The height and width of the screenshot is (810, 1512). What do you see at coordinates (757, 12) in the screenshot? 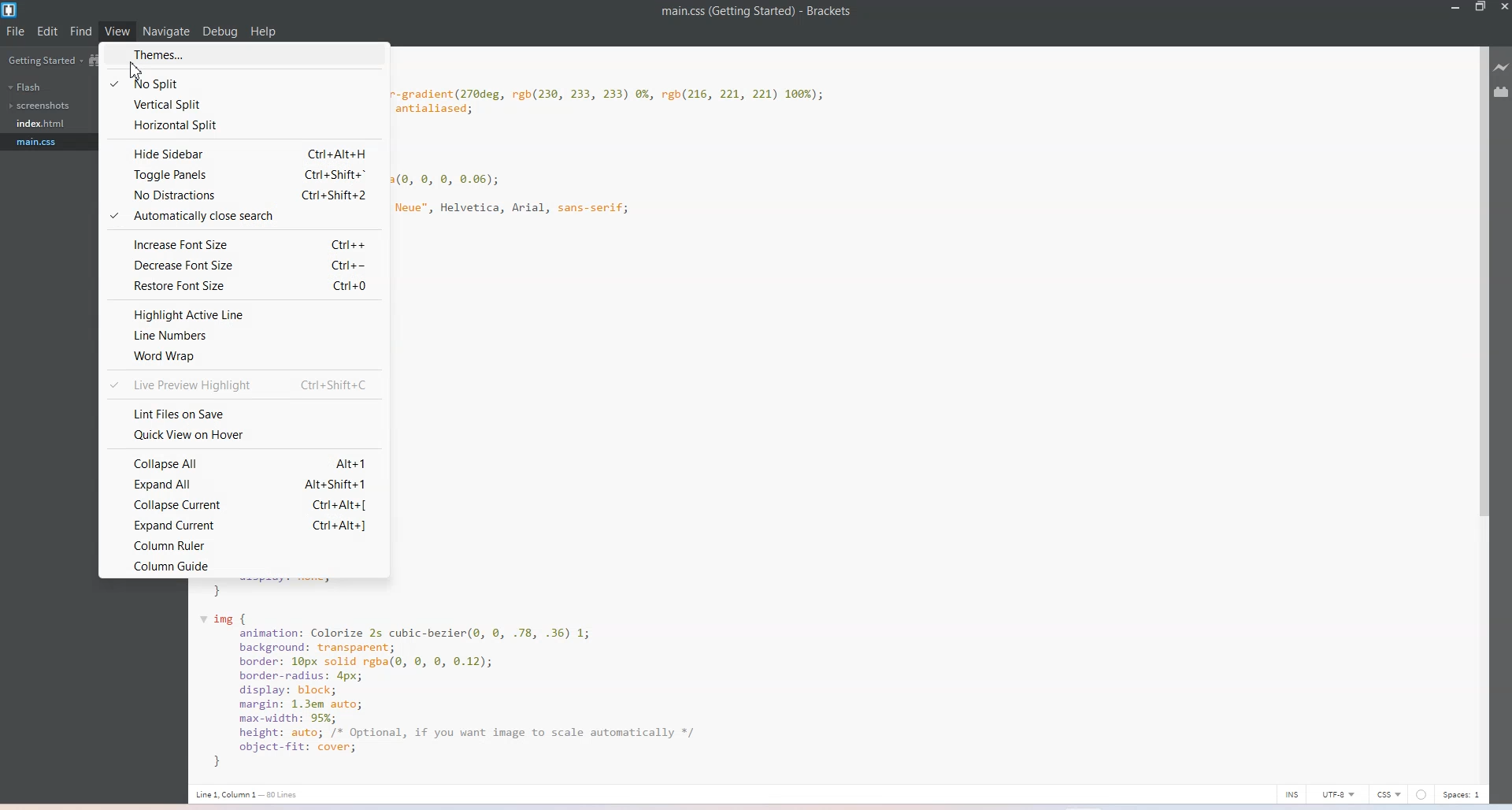
I see `Text 1` at bounding box center [757, 12].